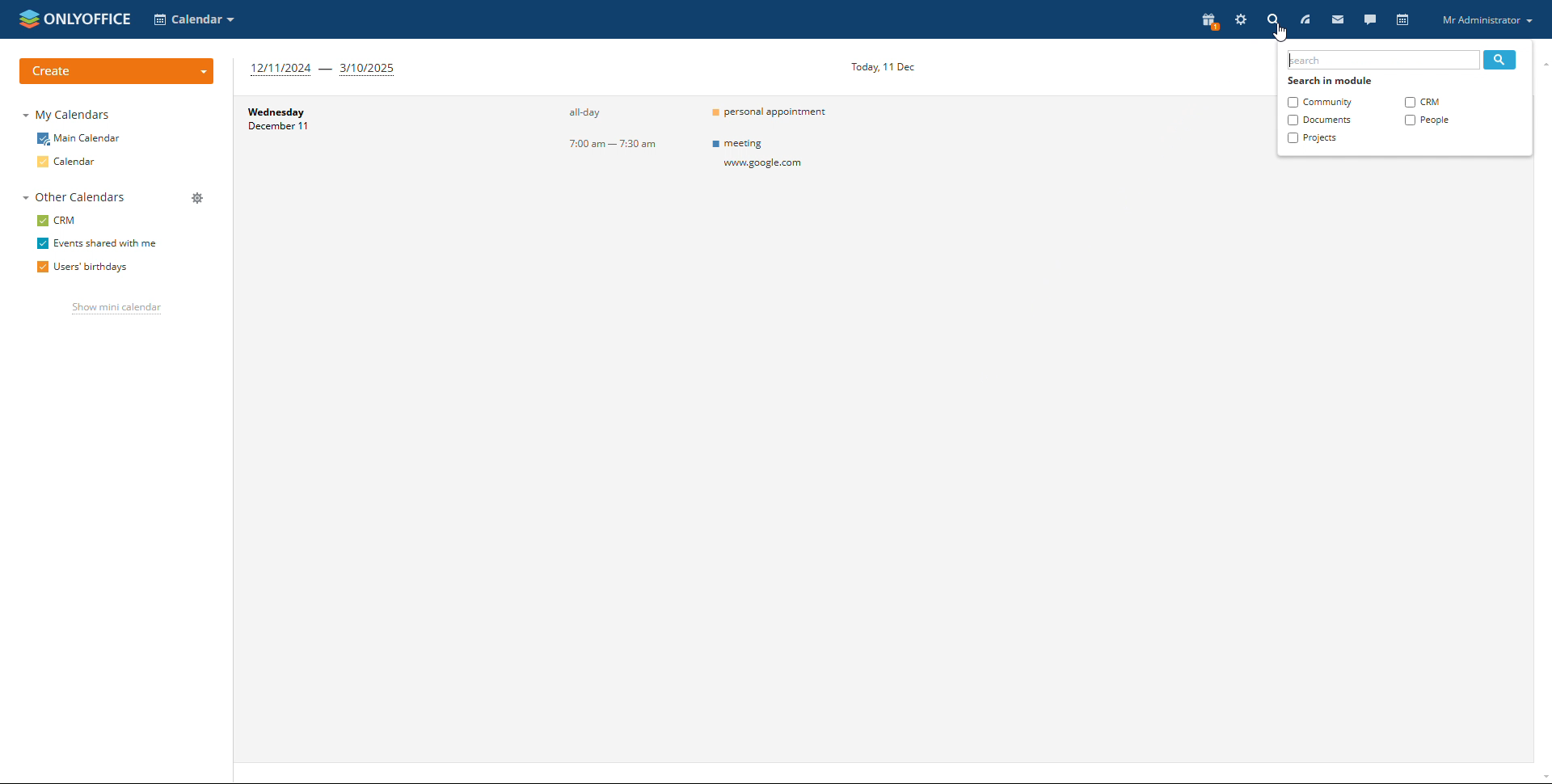 Image resolution: width=1552 pixels, height=784 pixels. Describe the element at coordinates (1272, 19) in the screenshot. I see `search` at that location.